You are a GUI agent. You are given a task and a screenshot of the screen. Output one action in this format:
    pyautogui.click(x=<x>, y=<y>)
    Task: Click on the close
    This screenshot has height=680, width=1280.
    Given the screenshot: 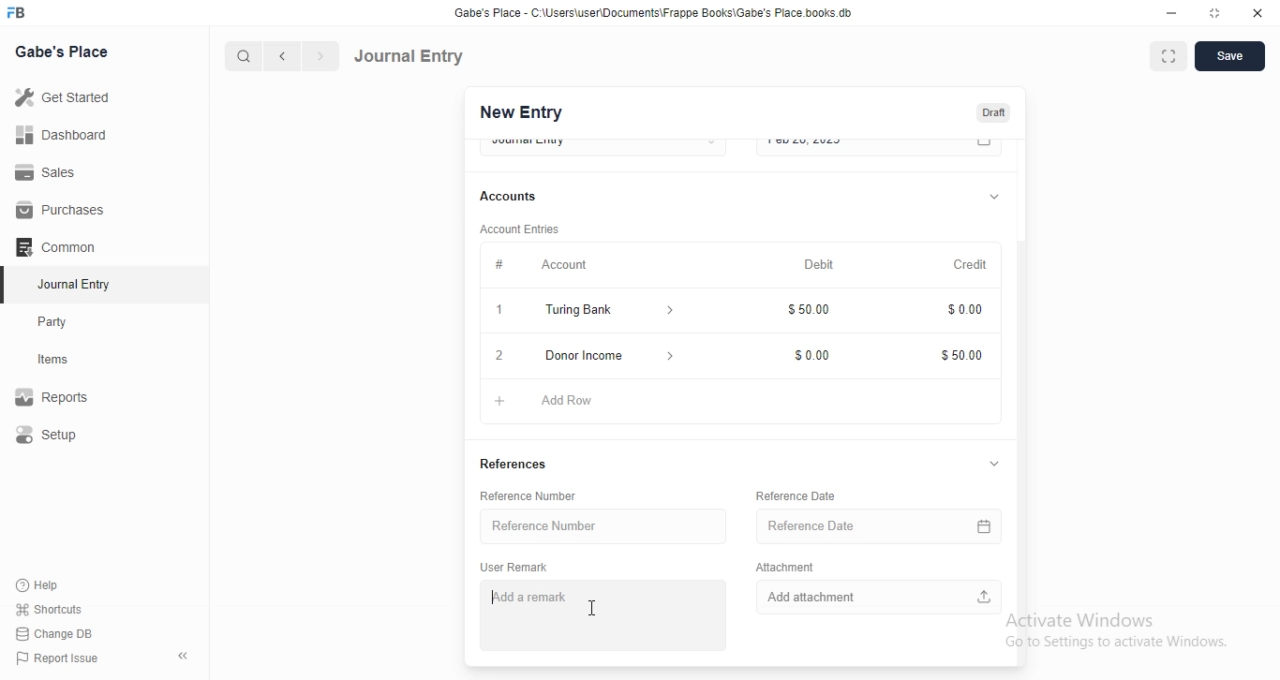 What is the action you would take?
    pyautogui.click(x=498, y=355)
    